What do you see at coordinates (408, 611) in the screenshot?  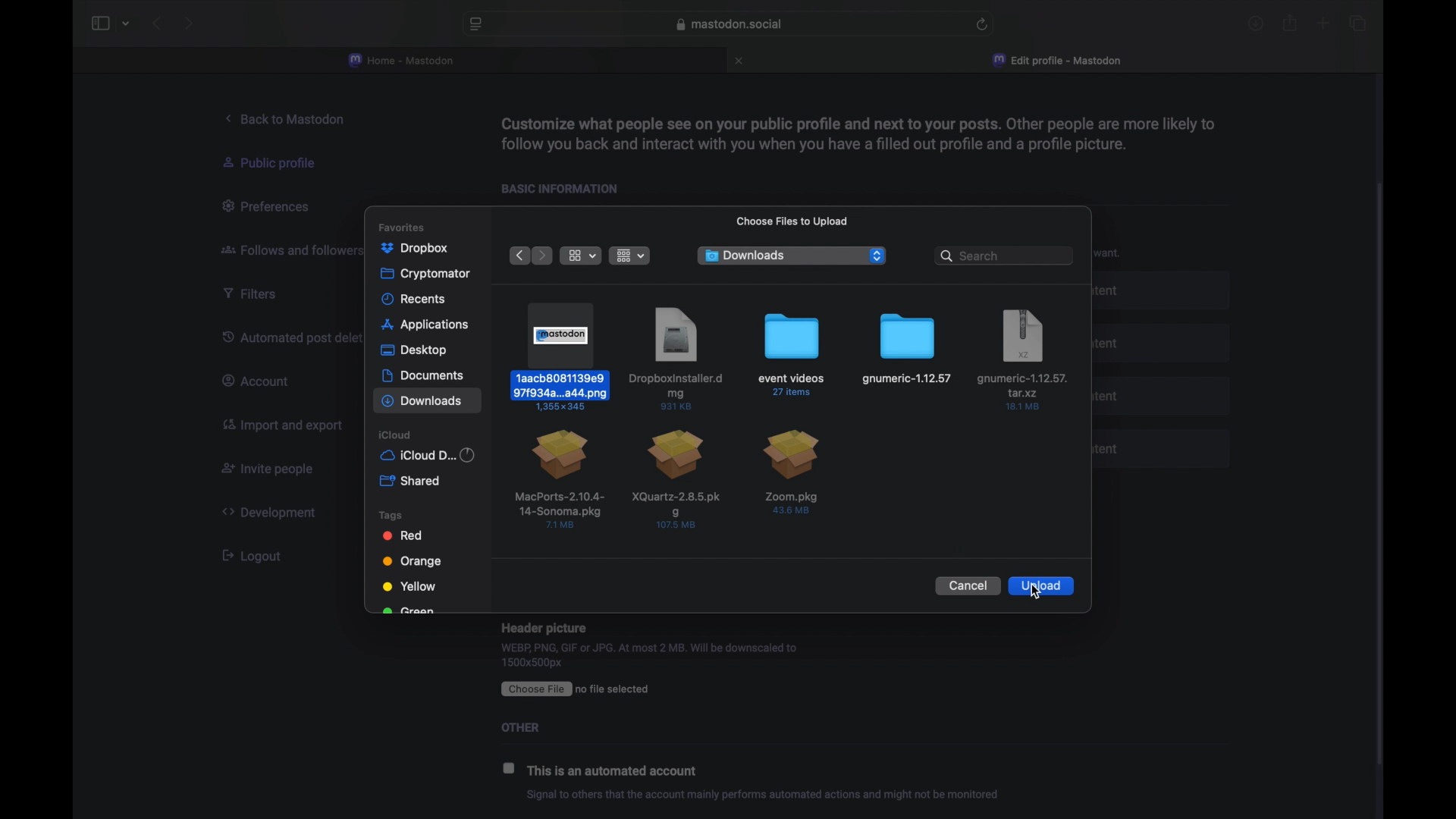 I see `green` at bounding box center [408, 611].